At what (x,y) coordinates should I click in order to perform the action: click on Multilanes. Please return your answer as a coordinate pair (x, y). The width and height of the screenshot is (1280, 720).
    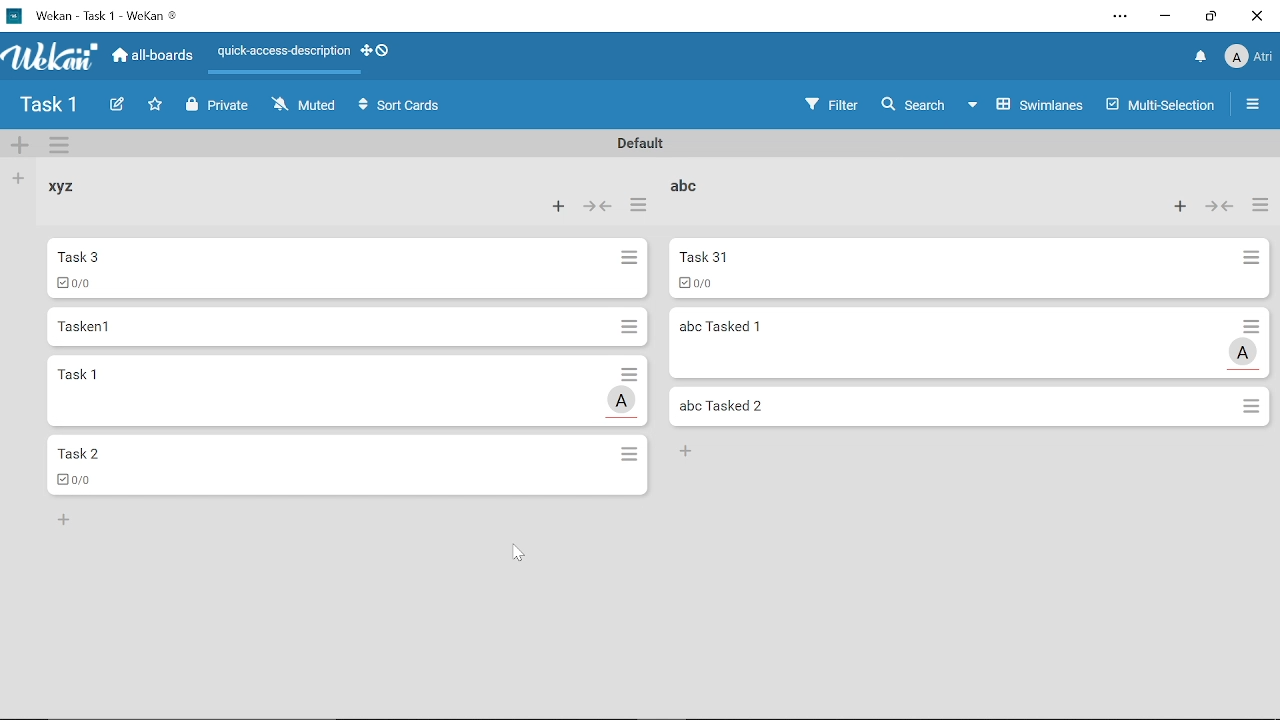
    Looking at the image, I should click on (1163, 107).